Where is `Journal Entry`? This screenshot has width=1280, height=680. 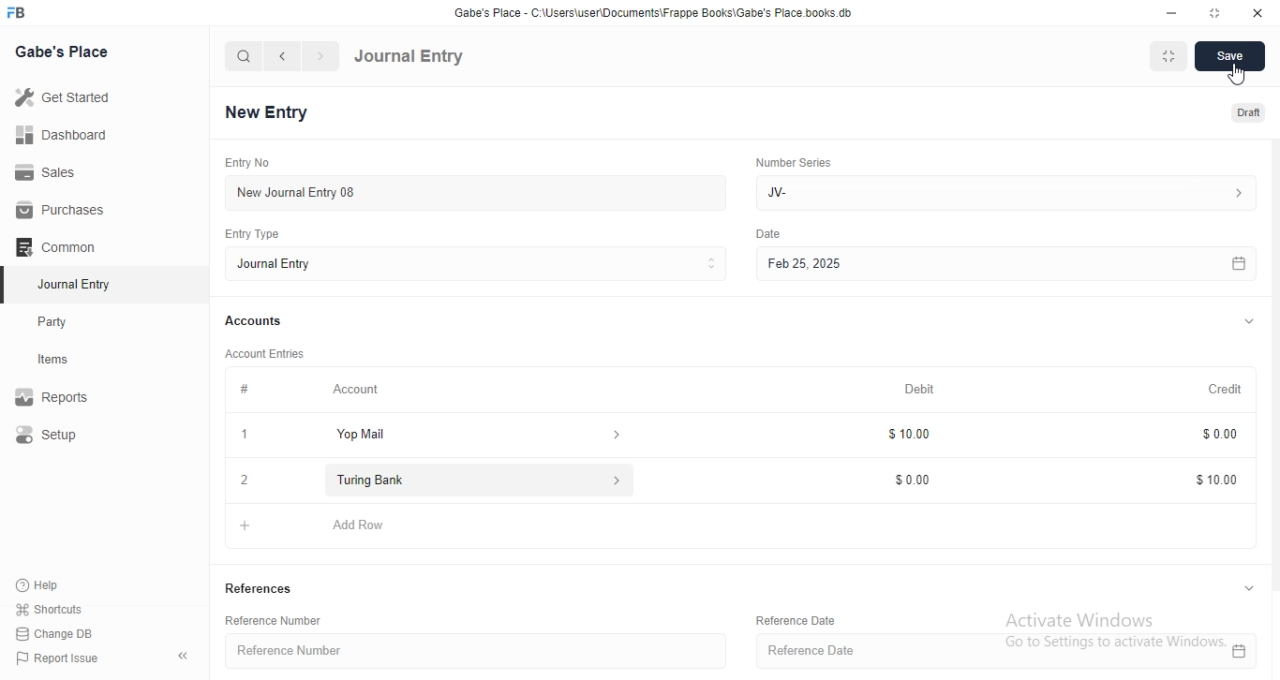
Journal Entry is located at coordinates (410, 57).